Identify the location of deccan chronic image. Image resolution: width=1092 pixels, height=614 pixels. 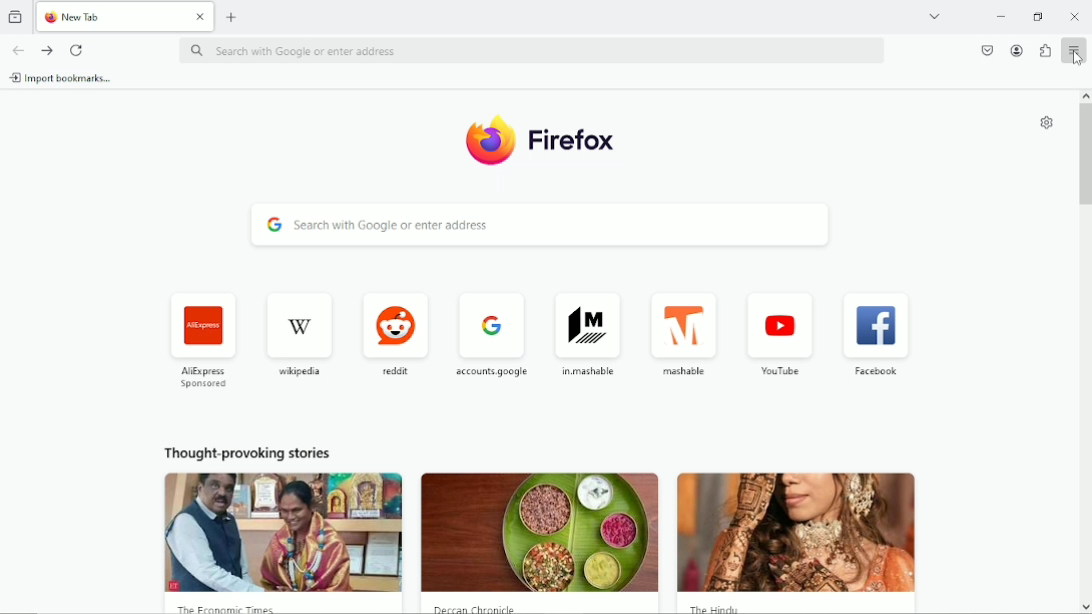
(540, 531).